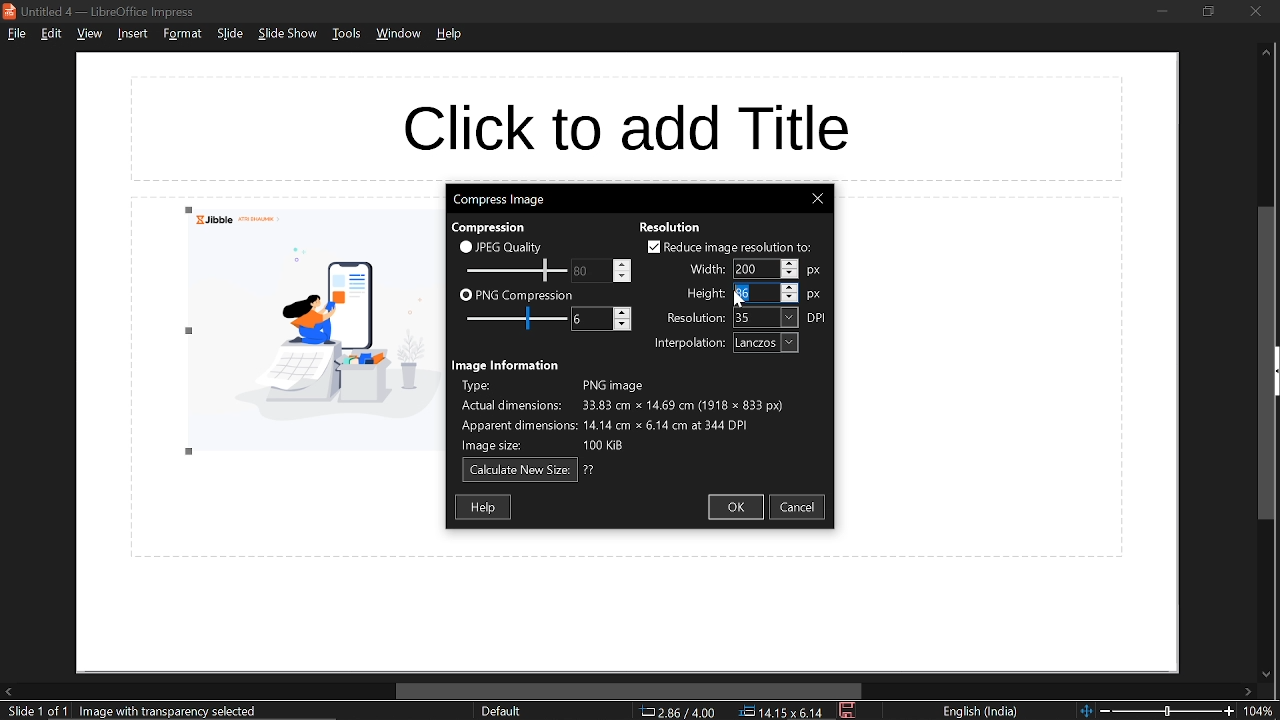 This screenshot has width=1280, height=720. Describe the element at coordinates (630, 691) in the screenshot. I see `horizontal scrollbar` at that location.